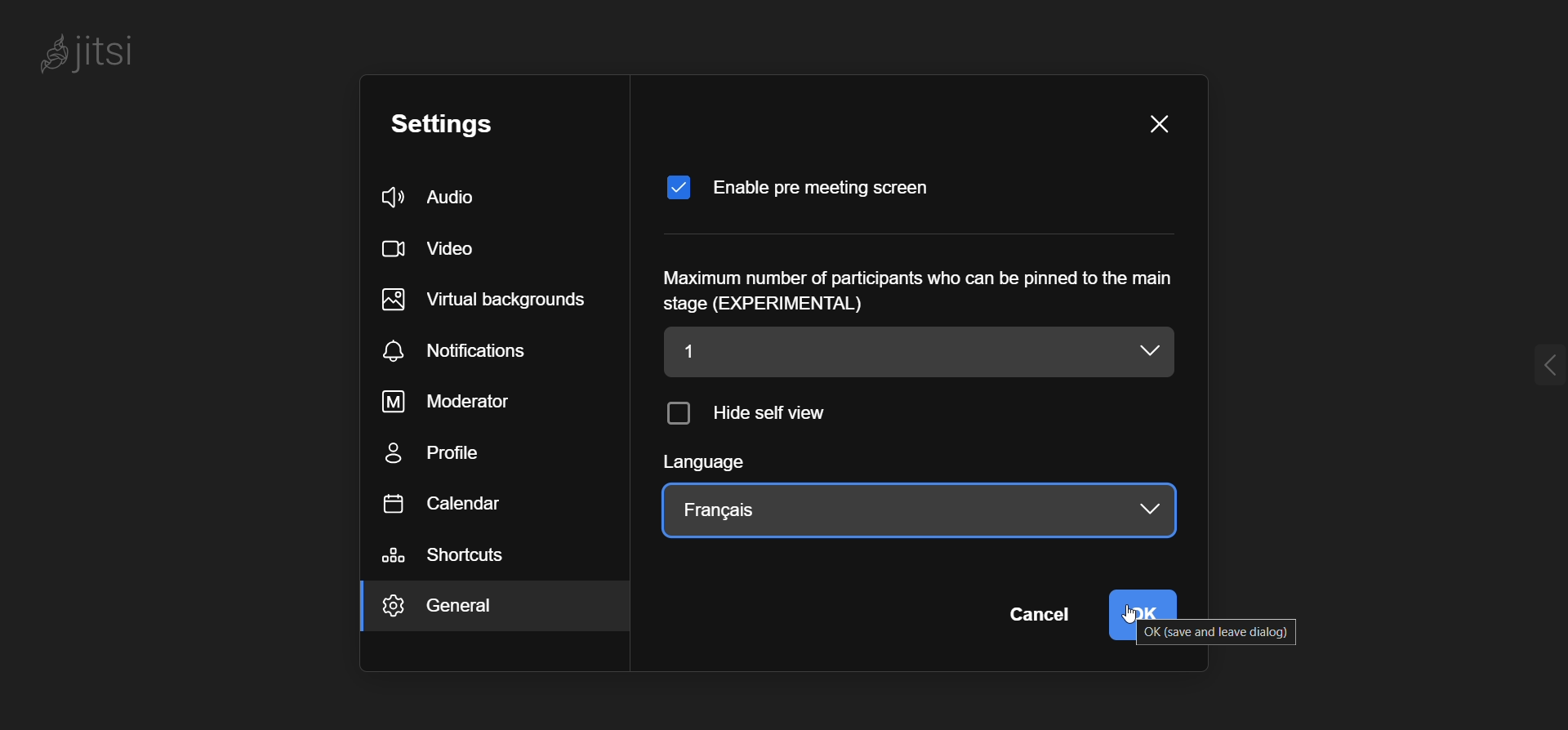 Image resolution: width=1568 pixels, height=730 pixels. What do you see at coordinates (492, 300) in the screenshot?
I see `virtual background` at bounding box center [492, 300].